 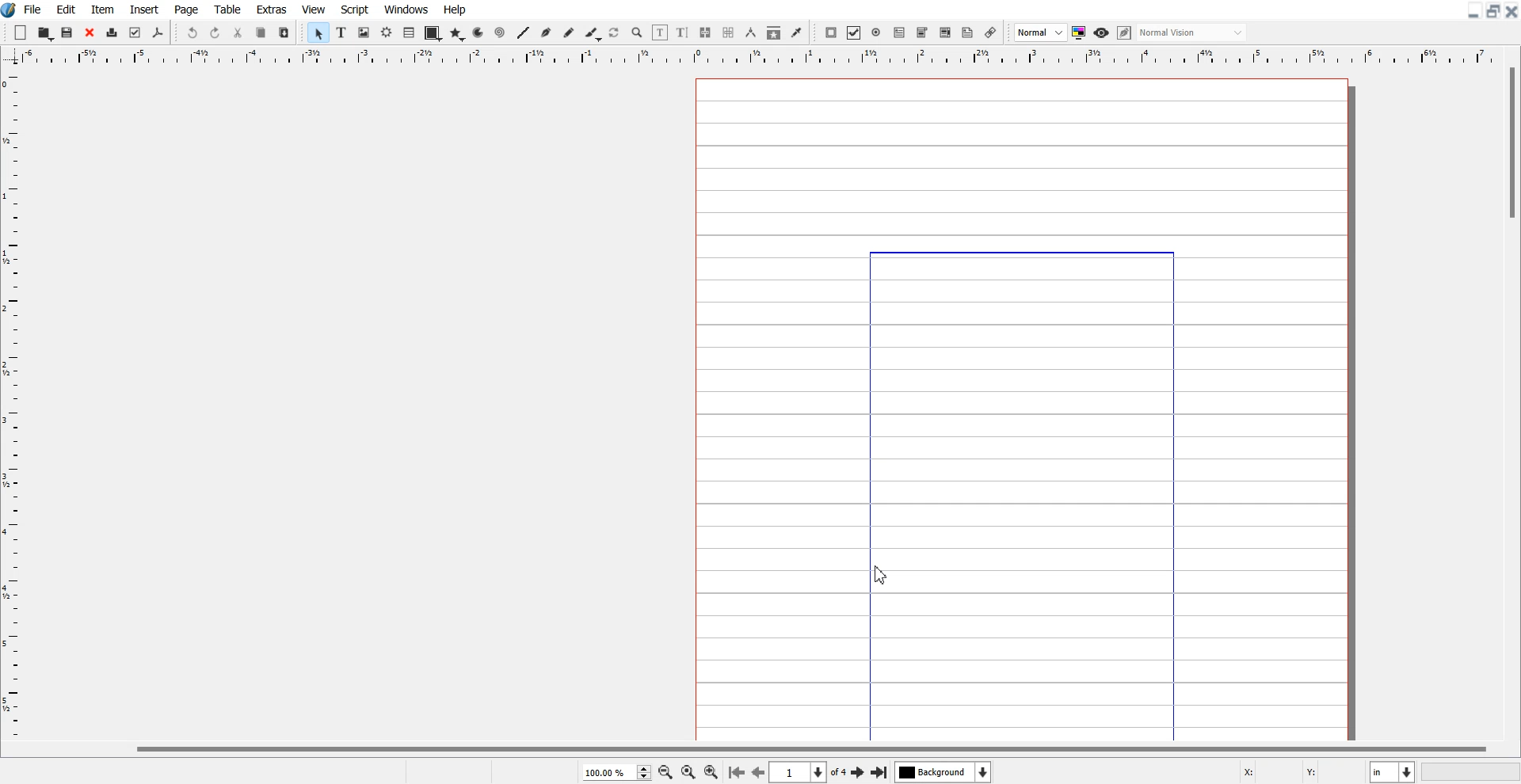 What do you see at coordinates (876, 32) in the screenshot?
I see `PDF Radio Button` at bounding box center [876, 32].